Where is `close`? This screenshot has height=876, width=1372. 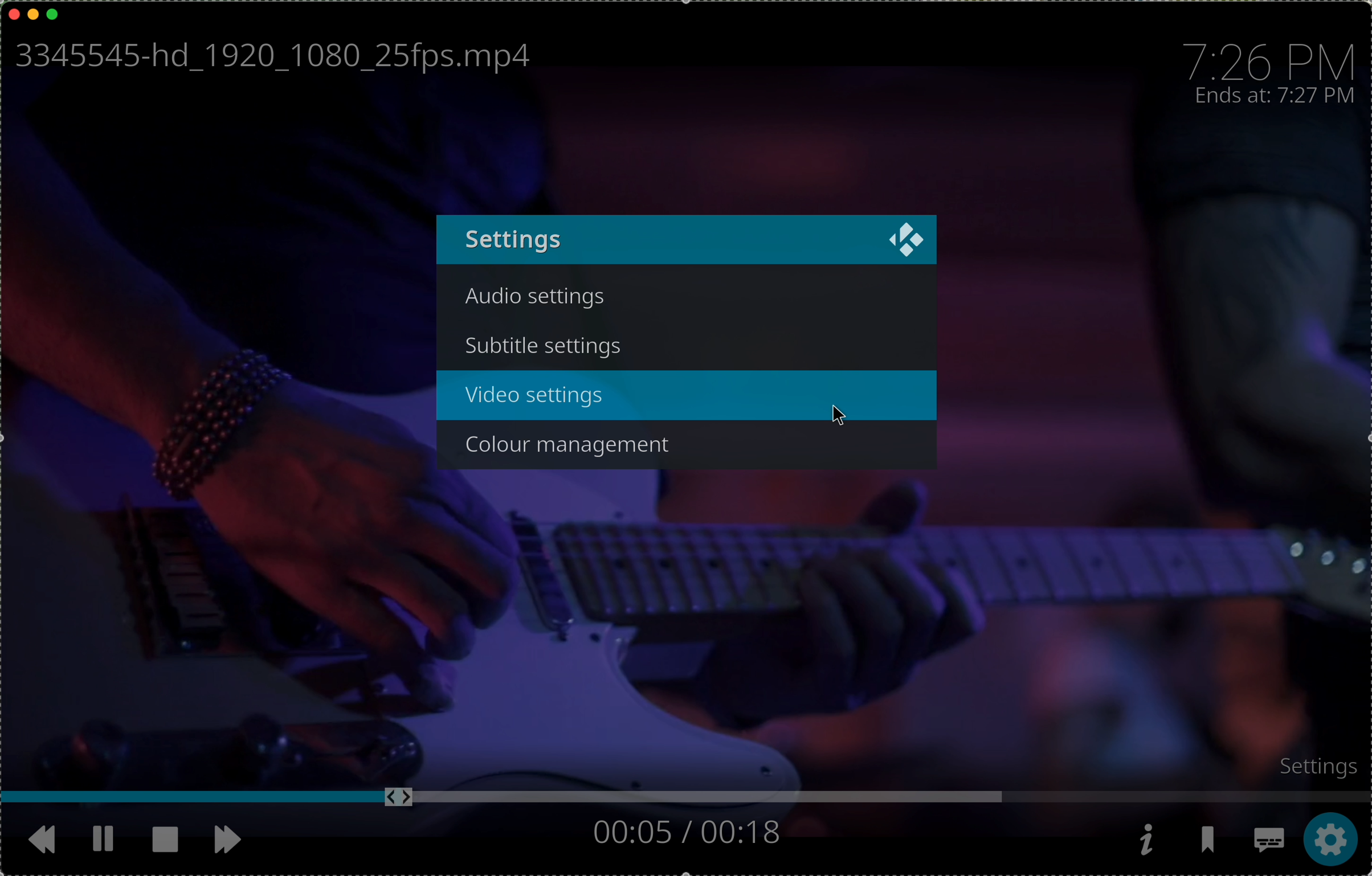 close is located at coordinates (908, 238).